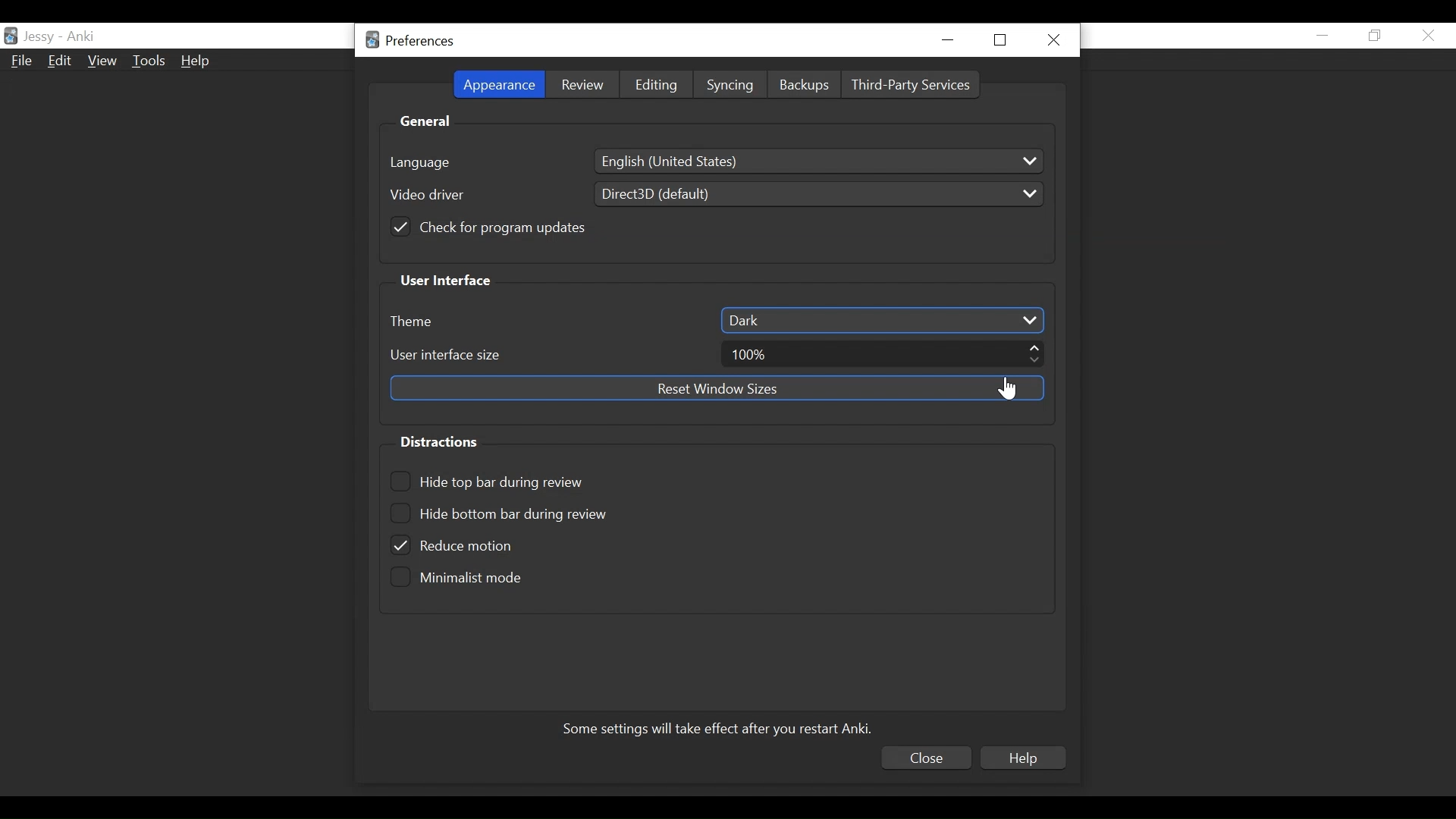 The height and width of the screenshot is (819, 1456). Describe the element at coordinates (497, 481) in the screenshot. I see `(un)select Hide top bar during review` at that location.